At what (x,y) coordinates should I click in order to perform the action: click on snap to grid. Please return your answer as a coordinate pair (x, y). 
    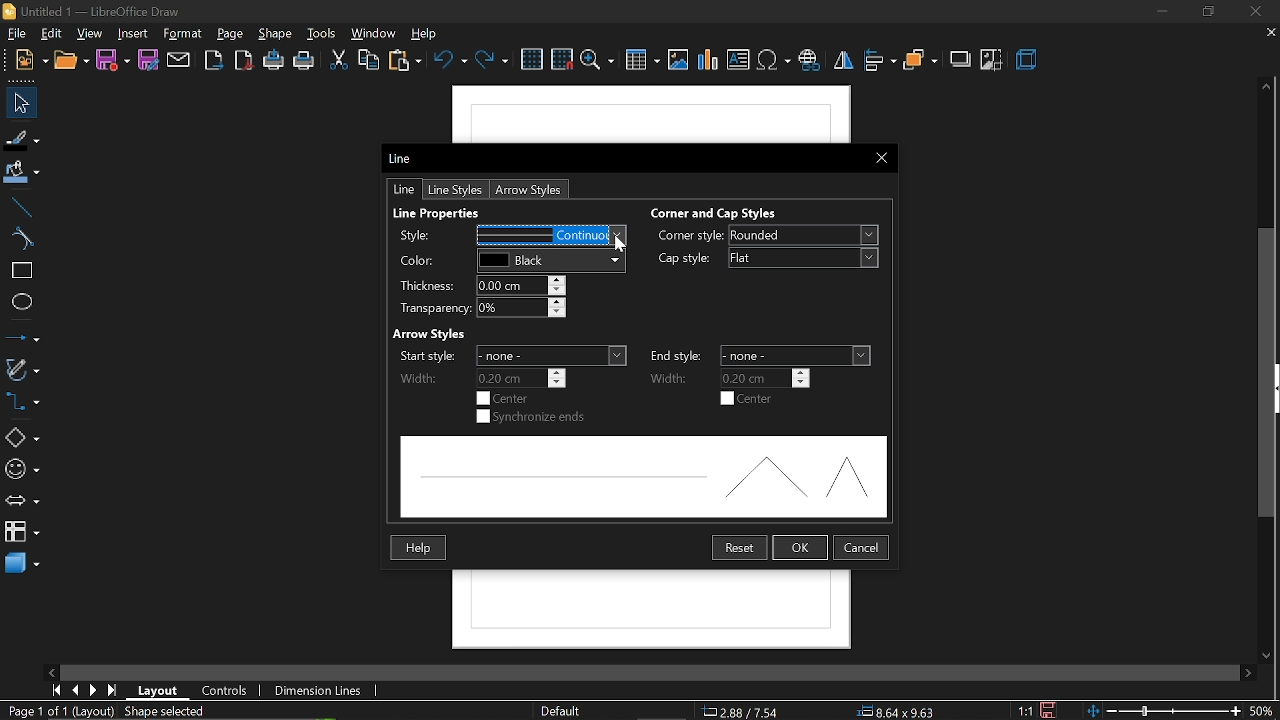
    Looking at the image, I should click on (562, 59).